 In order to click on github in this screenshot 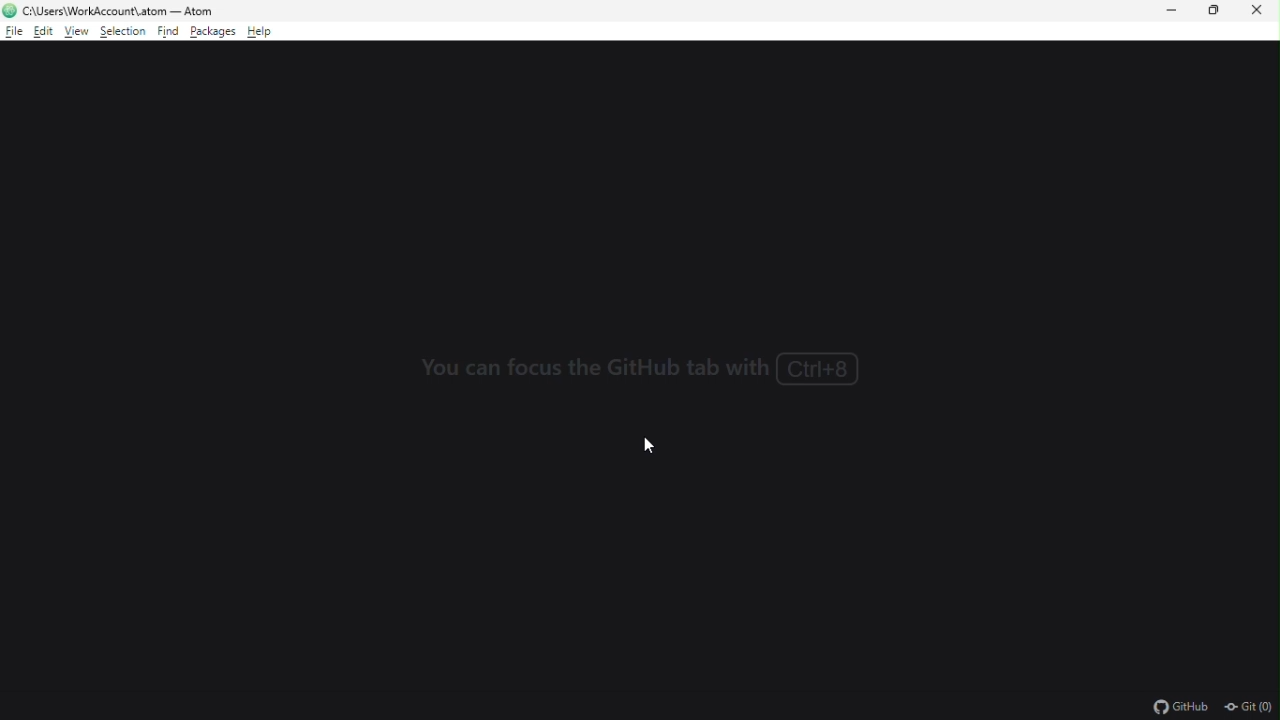, I will do `click(1173, 705)`.